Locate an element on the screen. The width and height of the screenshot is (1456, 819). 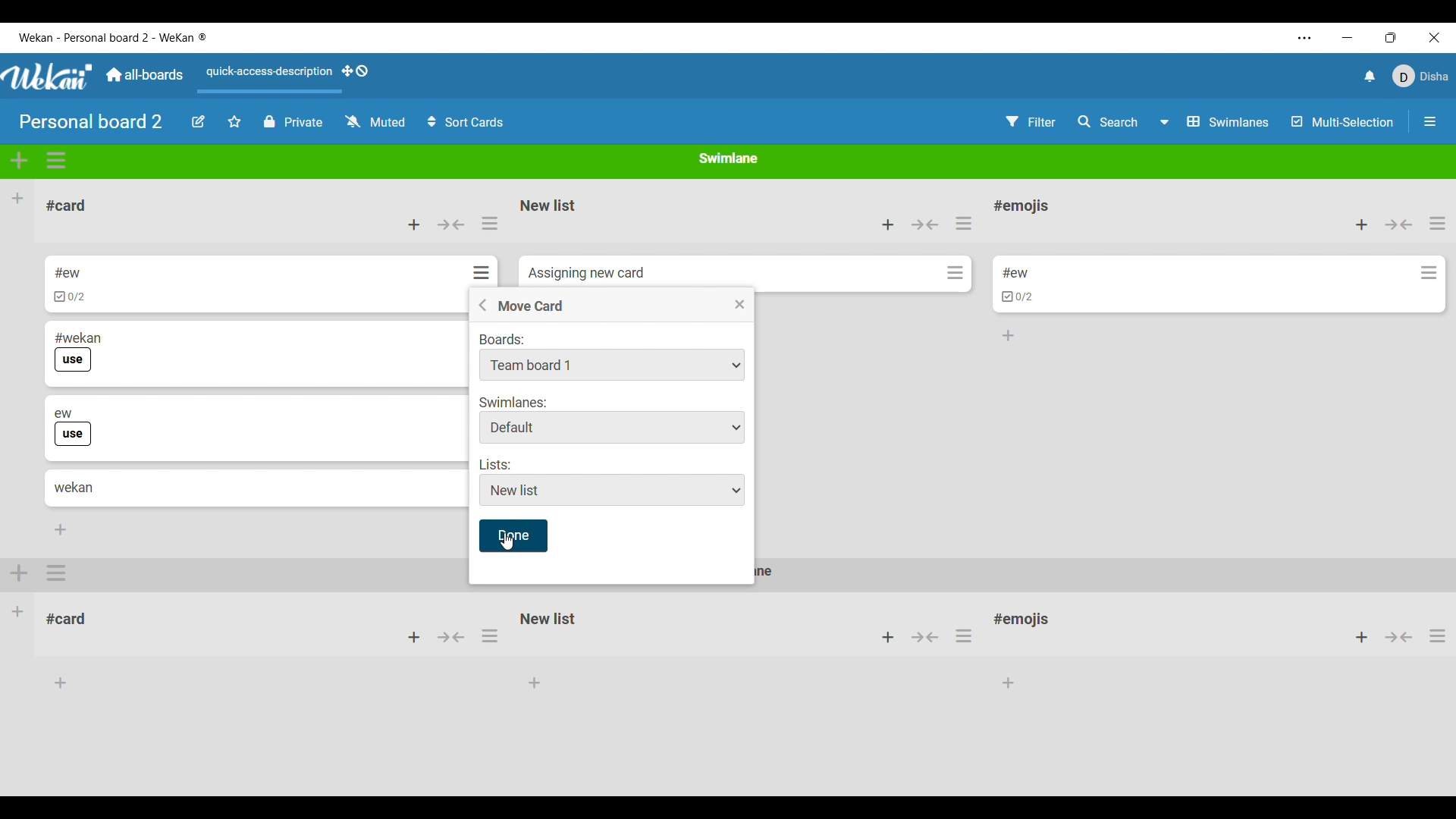
Card actions is located at coordinates (1429, 273).